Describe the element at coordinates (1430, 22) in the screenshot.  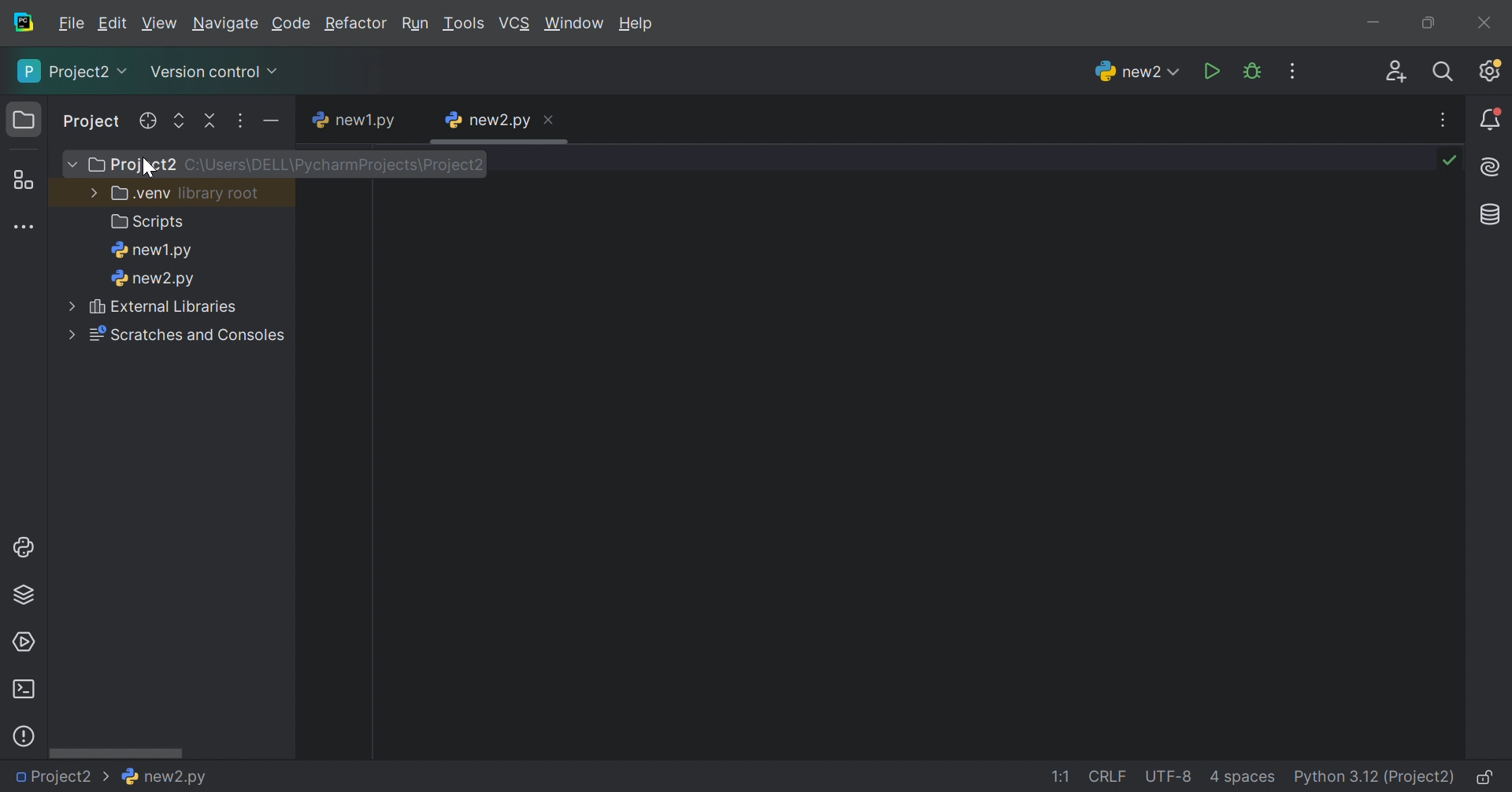
I see `Restore down` at that location.